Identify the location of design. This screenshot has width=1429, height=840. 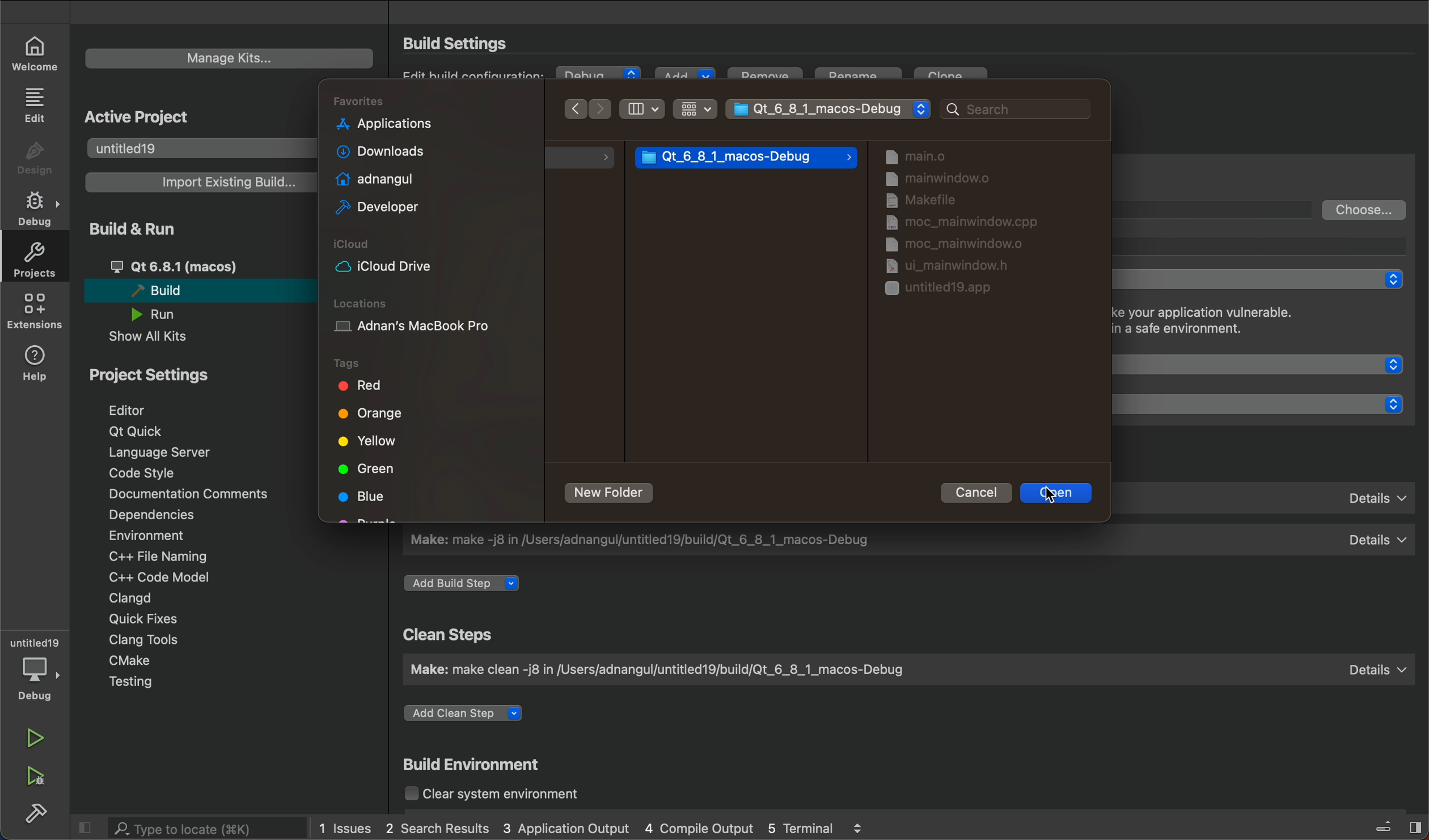
(35, 159).